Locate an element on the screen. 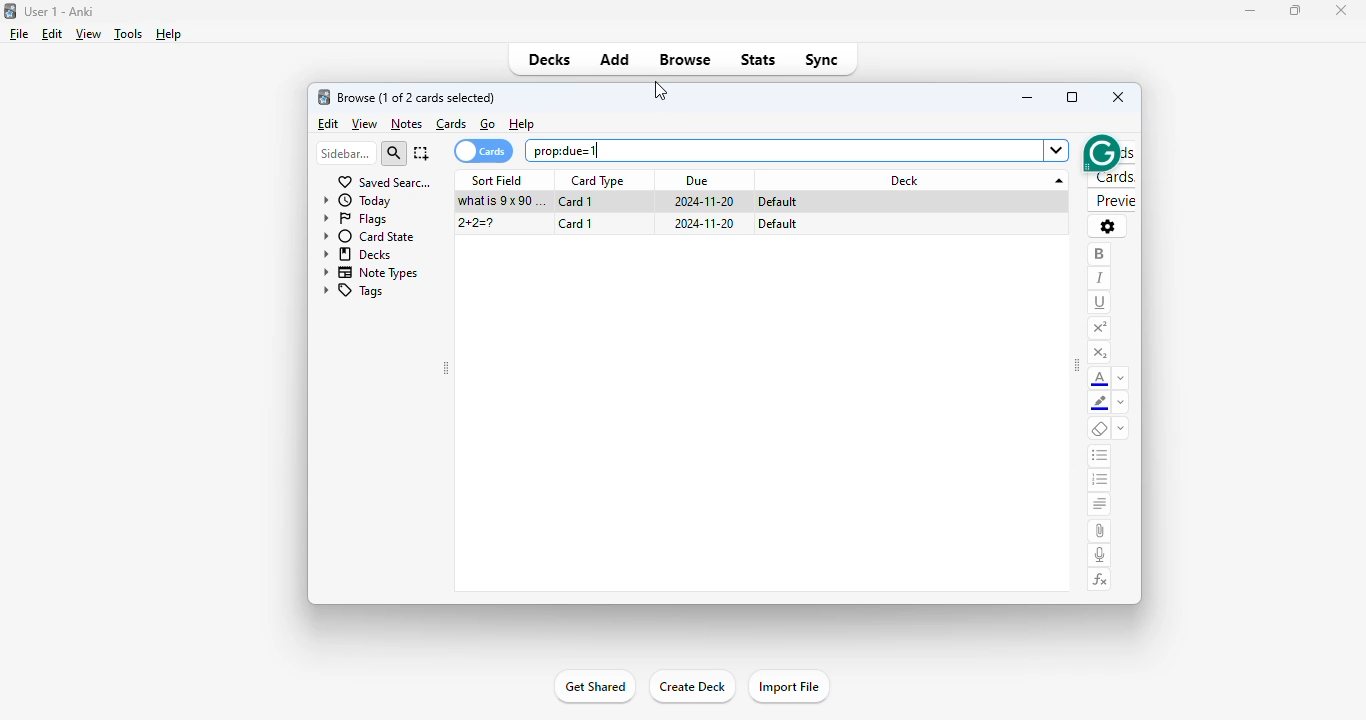 This screenshot has width=1366, height=720. notes is located at coordinates (407, 124).